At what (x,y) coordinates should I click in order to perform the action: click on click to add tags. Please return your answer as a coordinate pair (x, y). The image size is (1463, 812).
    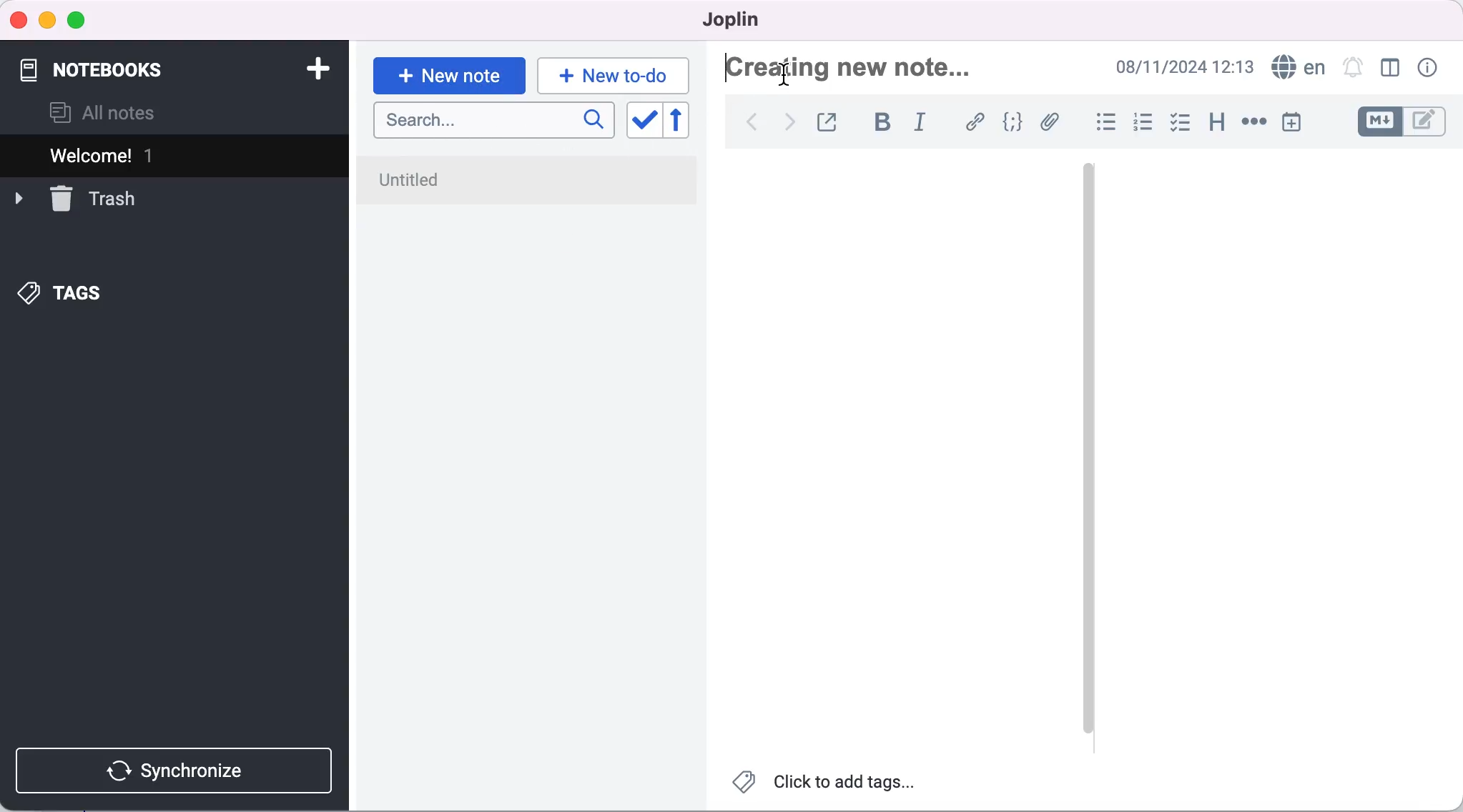
    Looking at the image, I should click on (826, 786).